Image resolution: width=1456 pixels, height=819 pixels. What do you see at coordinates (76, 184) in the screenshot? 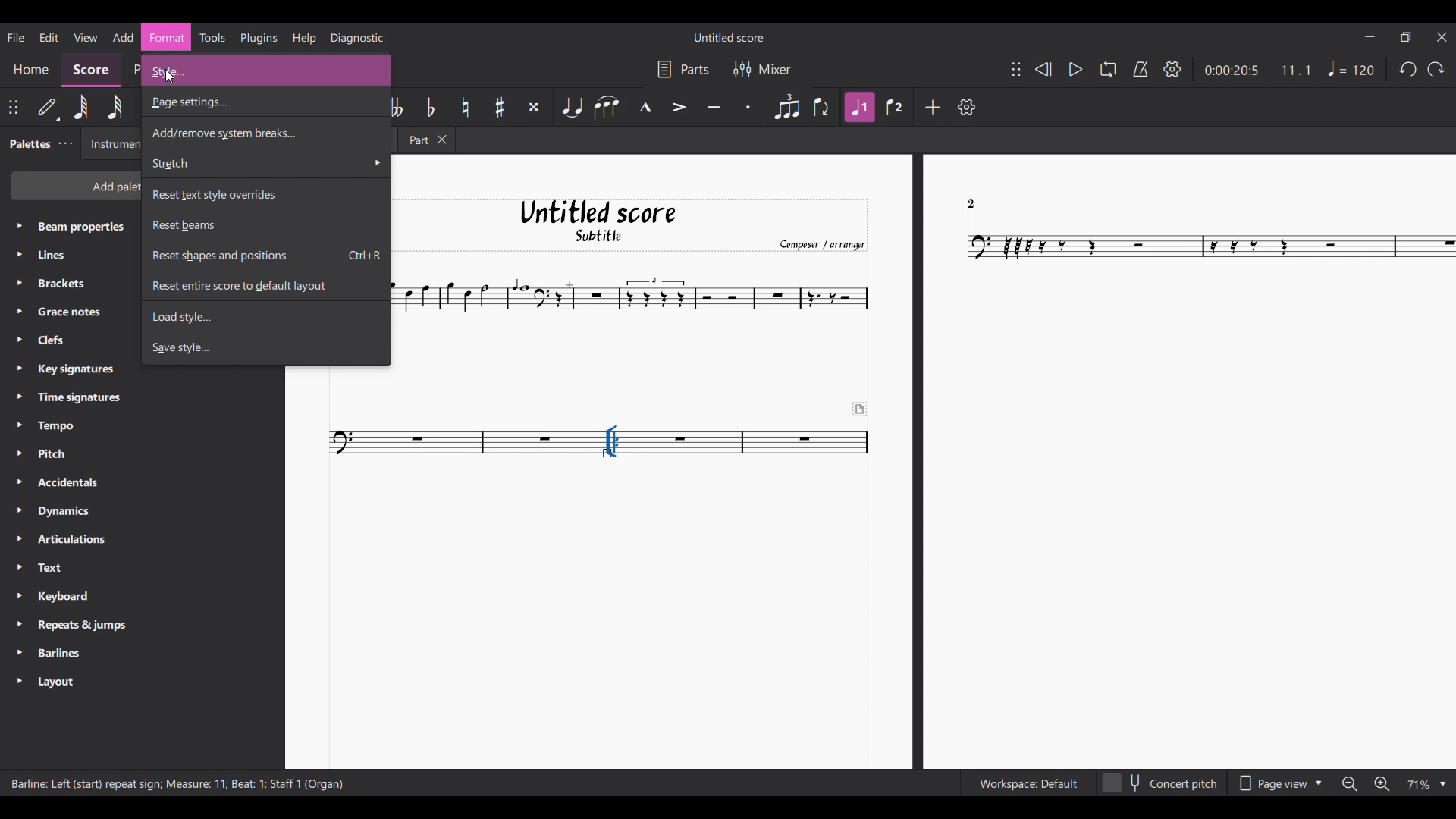
I see `Add palette` at bounding box center [76, 184].